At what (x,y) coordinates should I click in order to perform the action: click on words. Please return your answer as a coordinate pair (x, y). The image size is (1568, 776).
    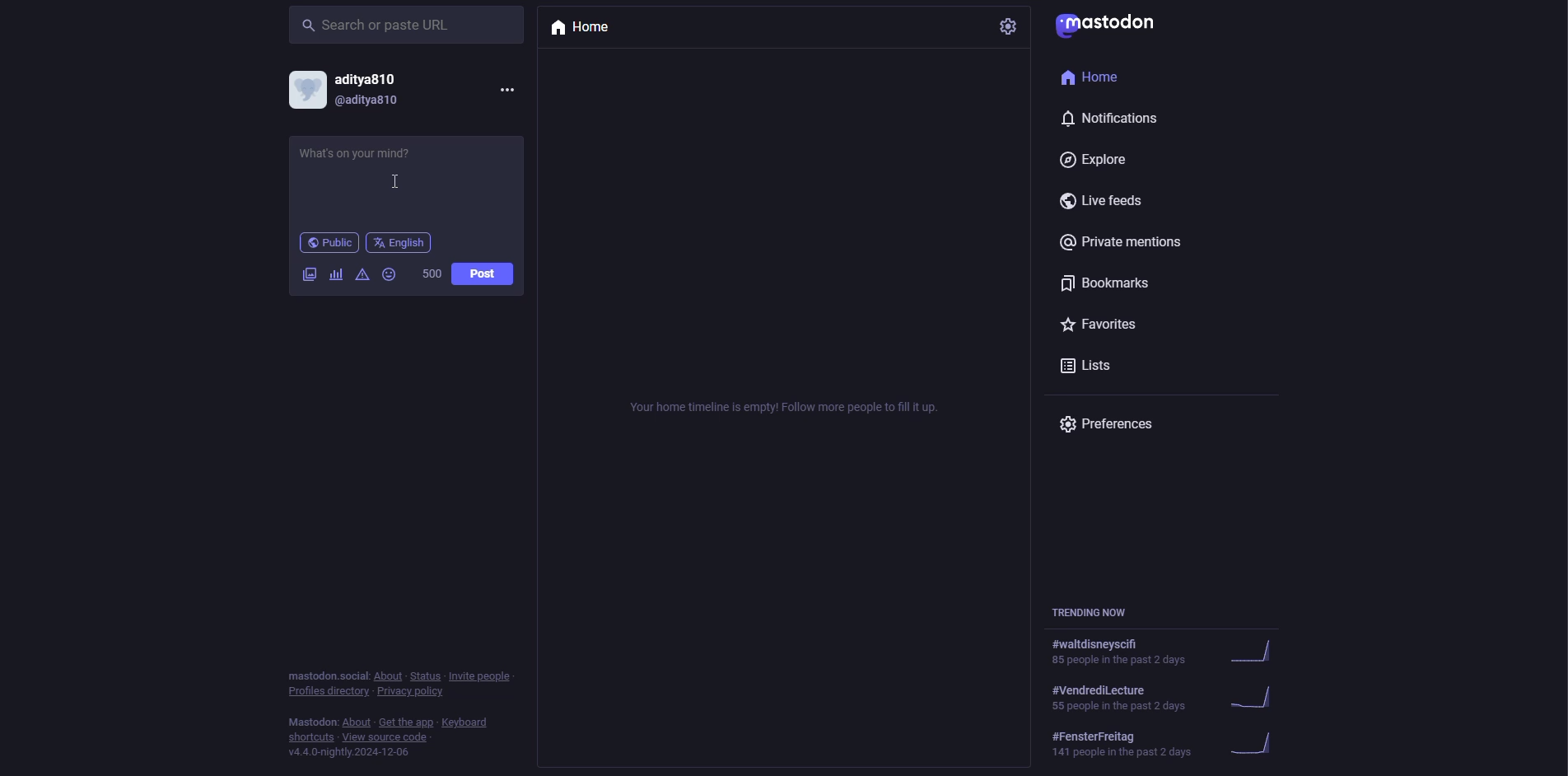
    Looking at the image, I should click on (431, 273).